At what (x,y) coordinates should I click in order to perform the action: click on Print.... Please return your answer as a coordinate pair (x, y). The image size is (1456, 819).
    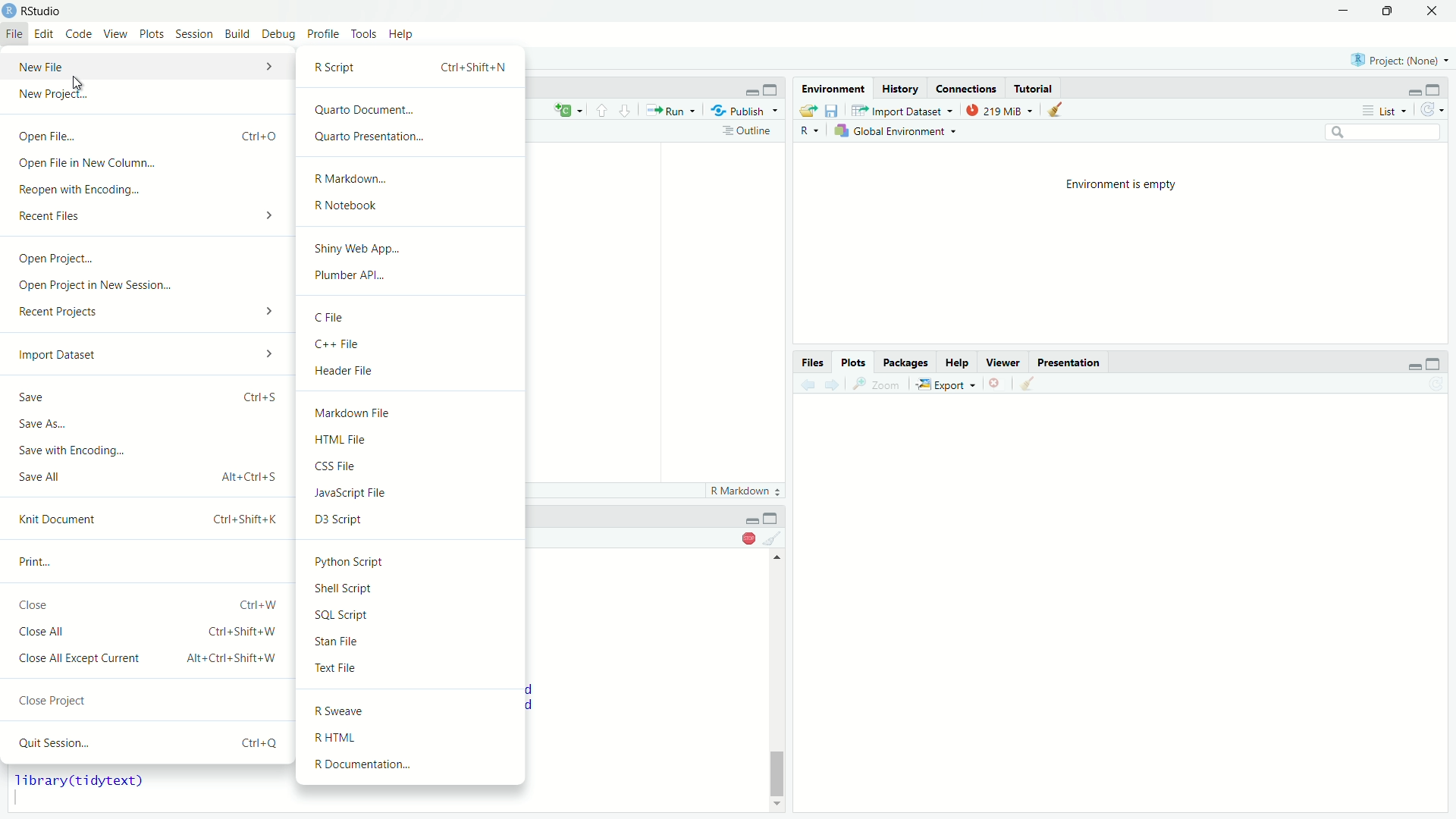
    Looking at the image, I should click on (146, 559).